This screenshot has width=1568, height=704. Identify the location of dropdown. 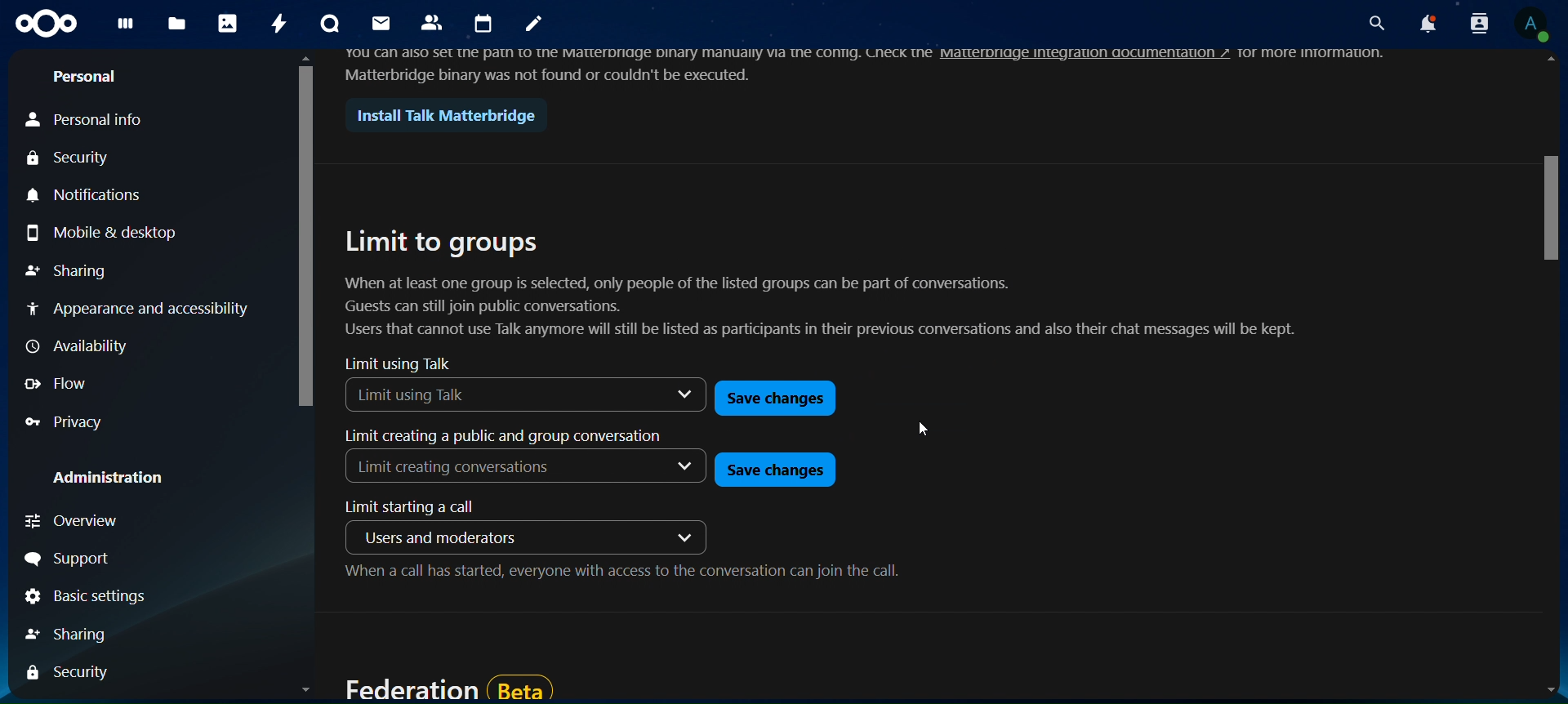
(686, 468).